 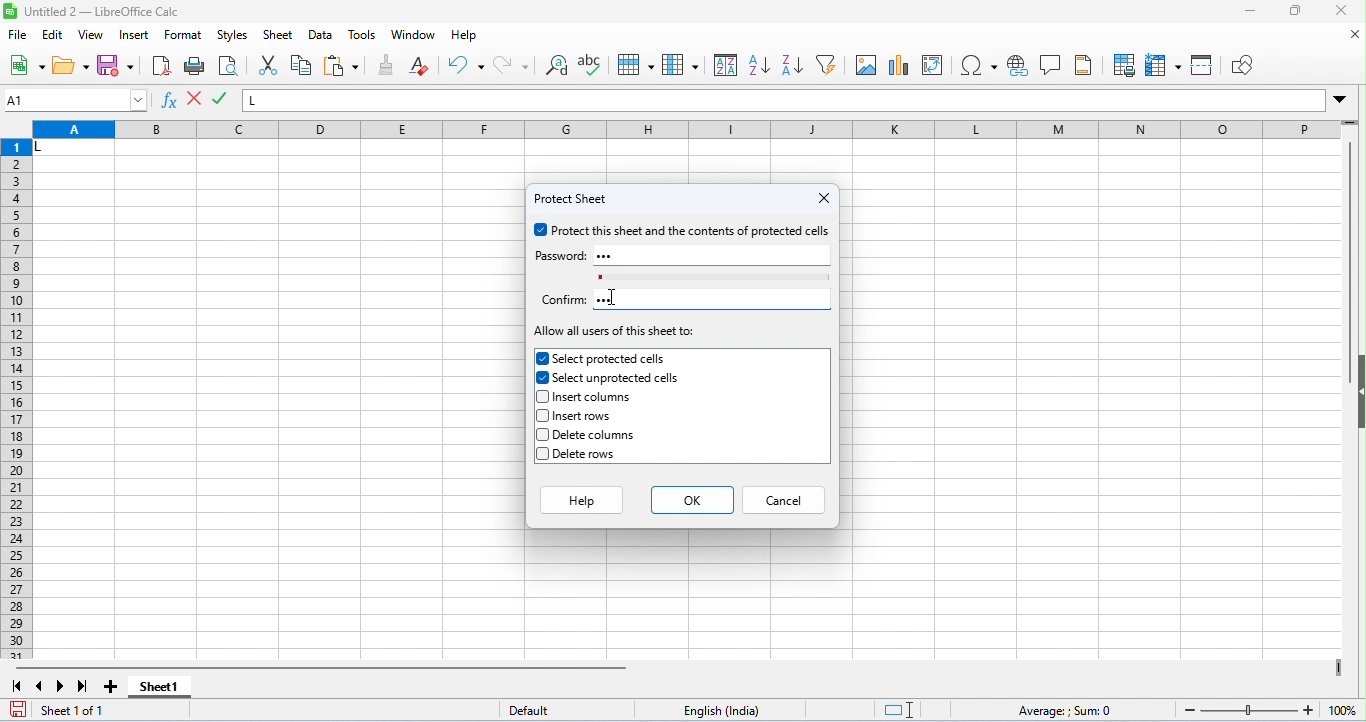 I want to click on ok, so click(x=692, y=498).